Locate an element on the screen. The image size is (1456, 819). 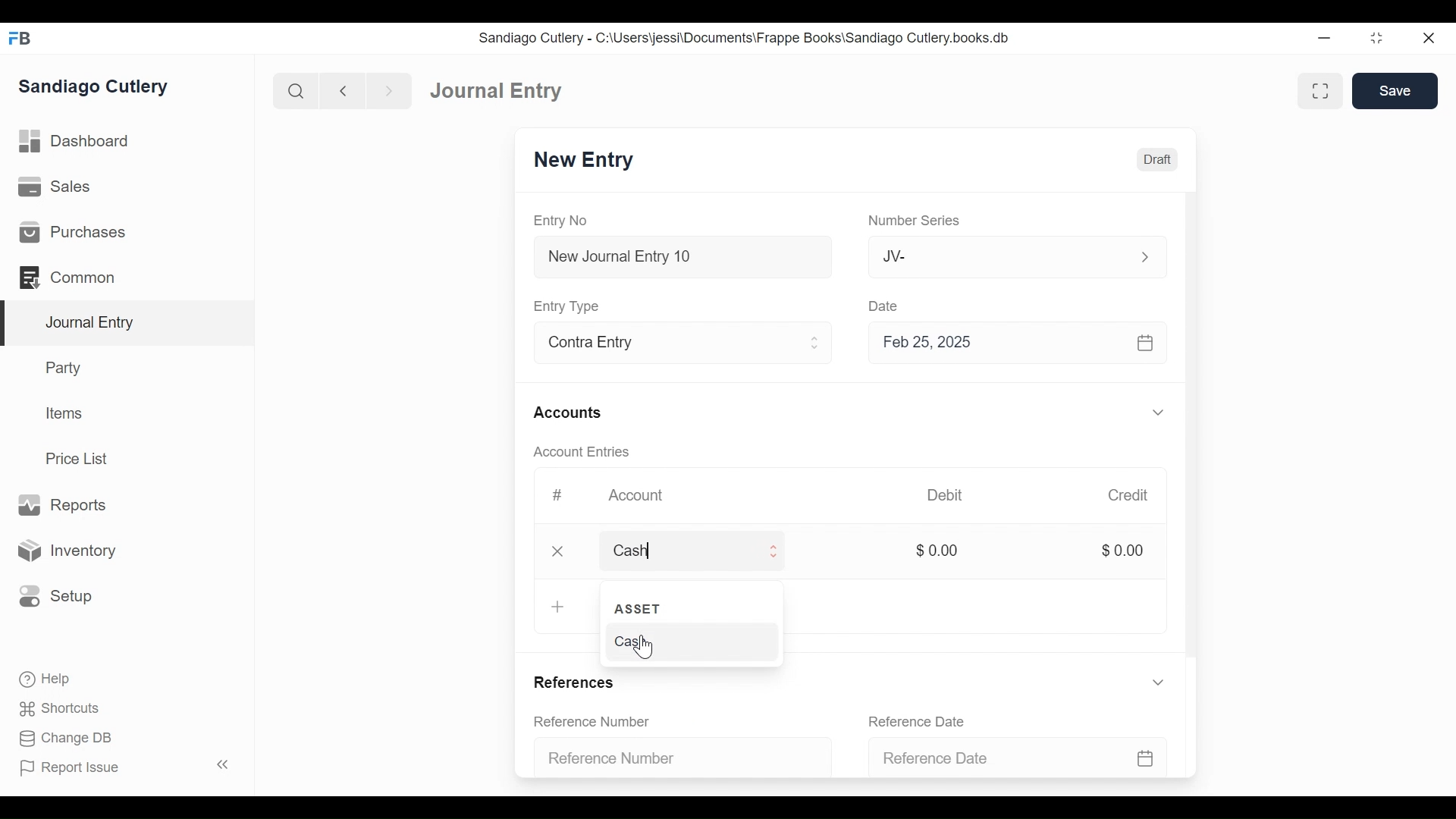
Dashboard is located at coordinates (80, 143).